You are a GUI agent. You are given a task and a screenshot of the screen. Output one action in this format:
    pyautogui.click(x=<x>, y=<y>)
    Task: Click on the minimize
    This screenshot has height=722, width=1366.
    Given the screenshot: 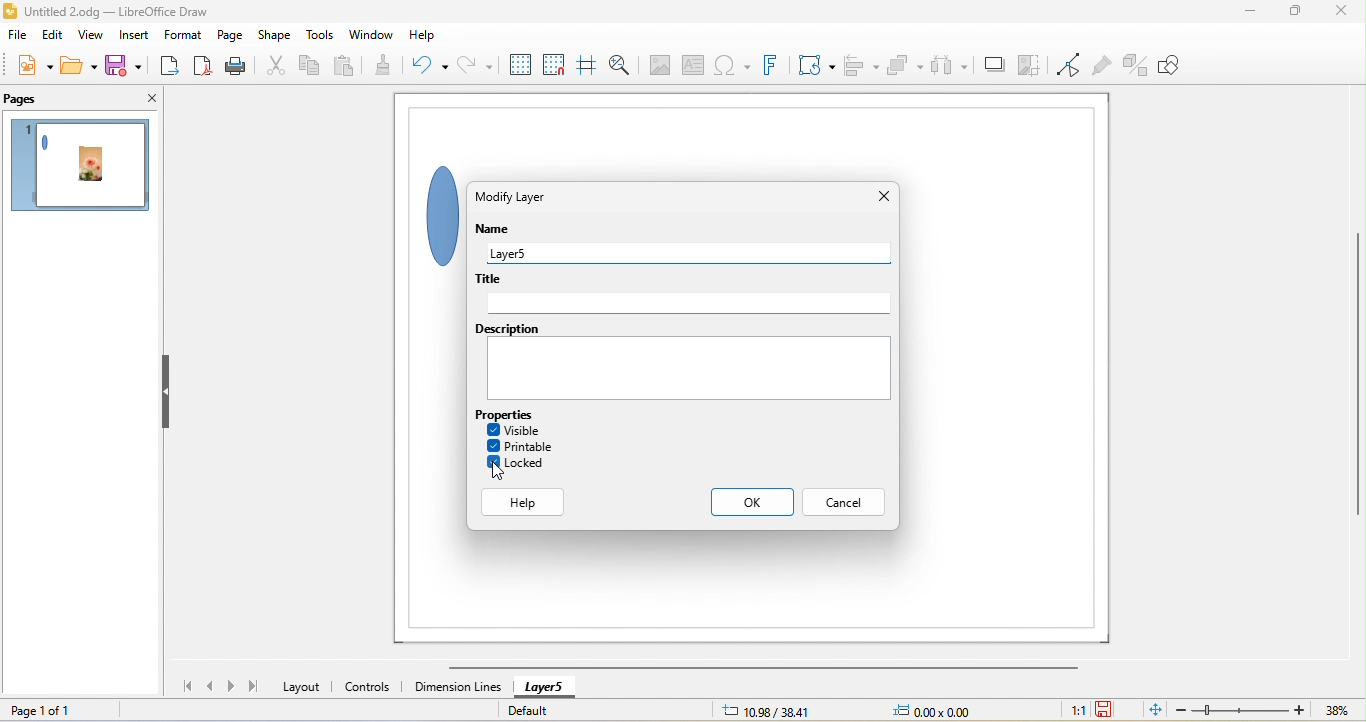 What is the action you would take?
    pyautogui.click(x=1252, y=13)
    